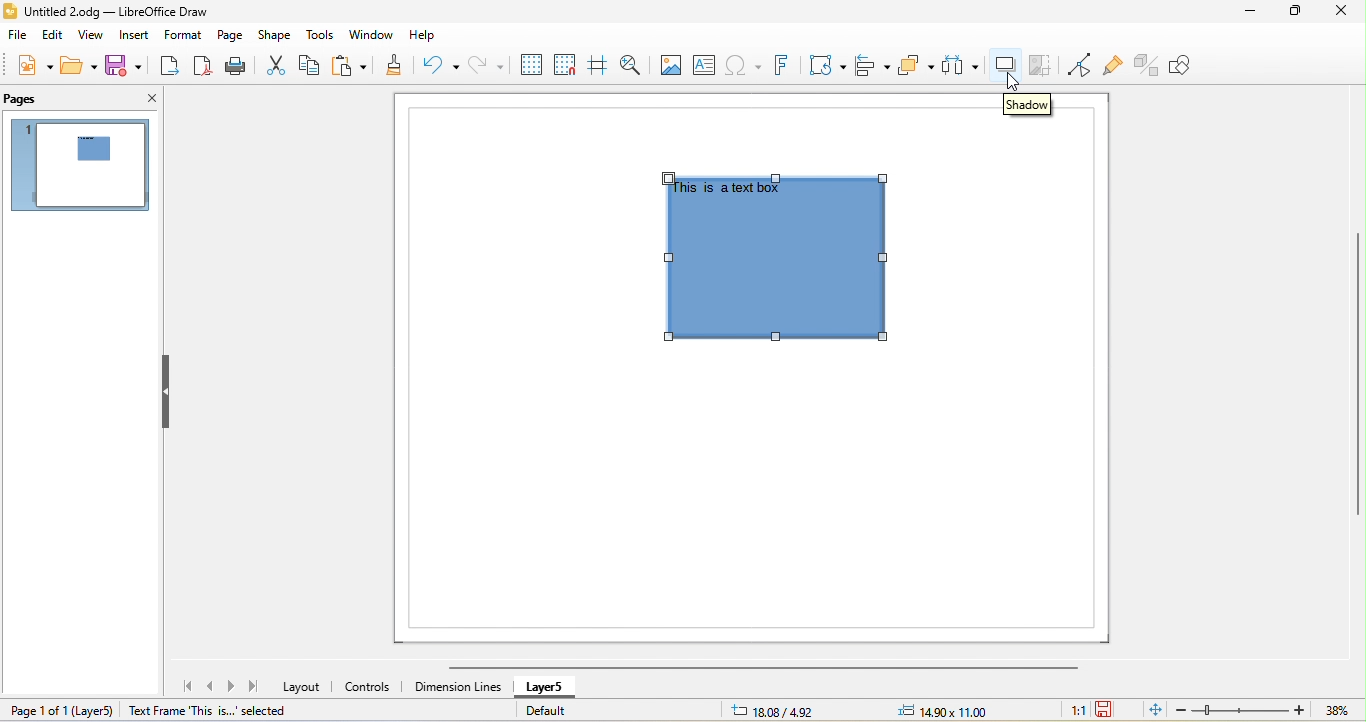 Image resolution: width=1366 pixels, height=722 pixels. Describe the element at coordinates (961, 65) in the screenshot. I see `select at least three object to distribute` at that location.